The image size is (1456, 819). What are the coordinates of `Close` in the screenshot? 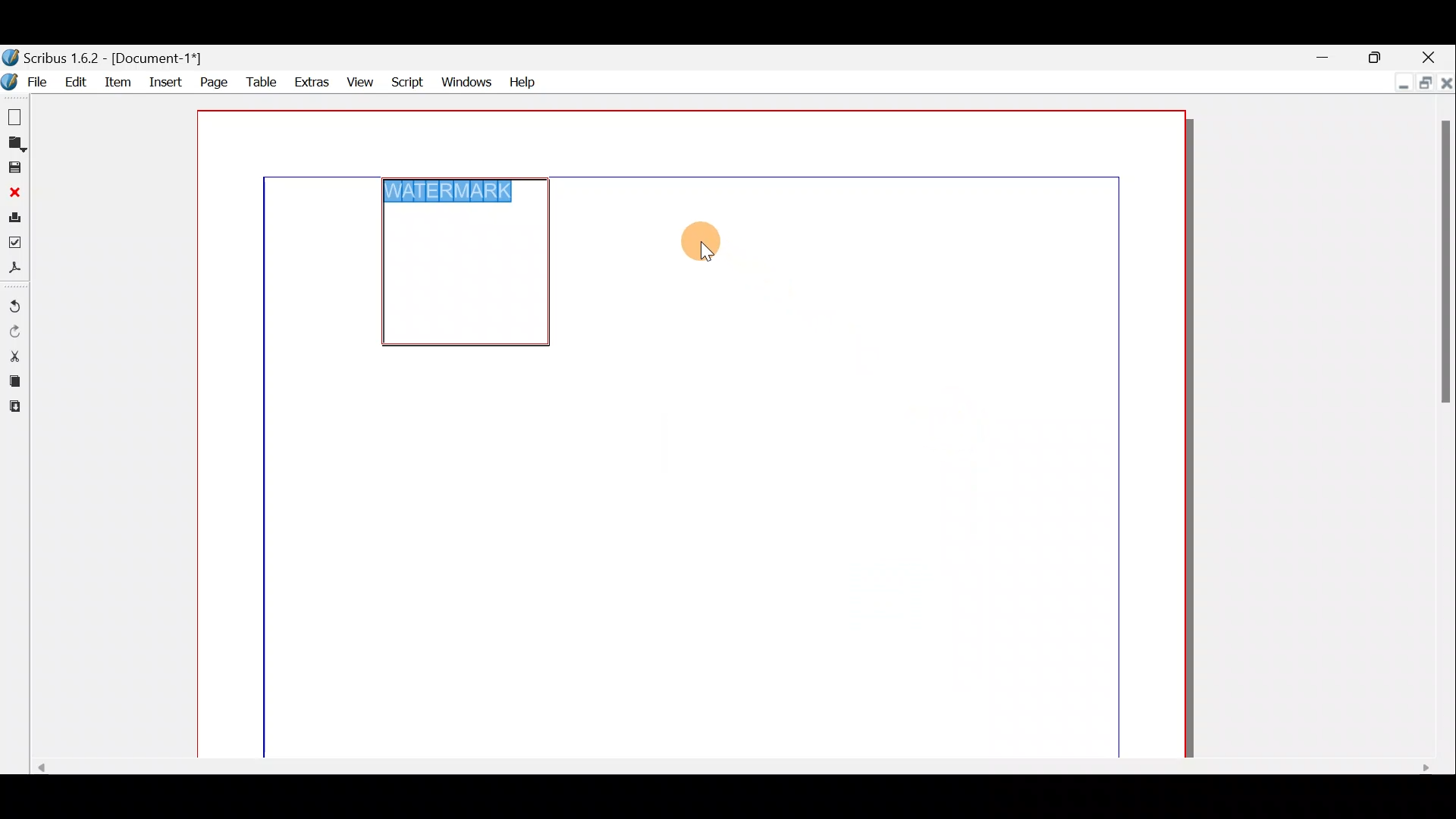 It's located at (1446, 81).